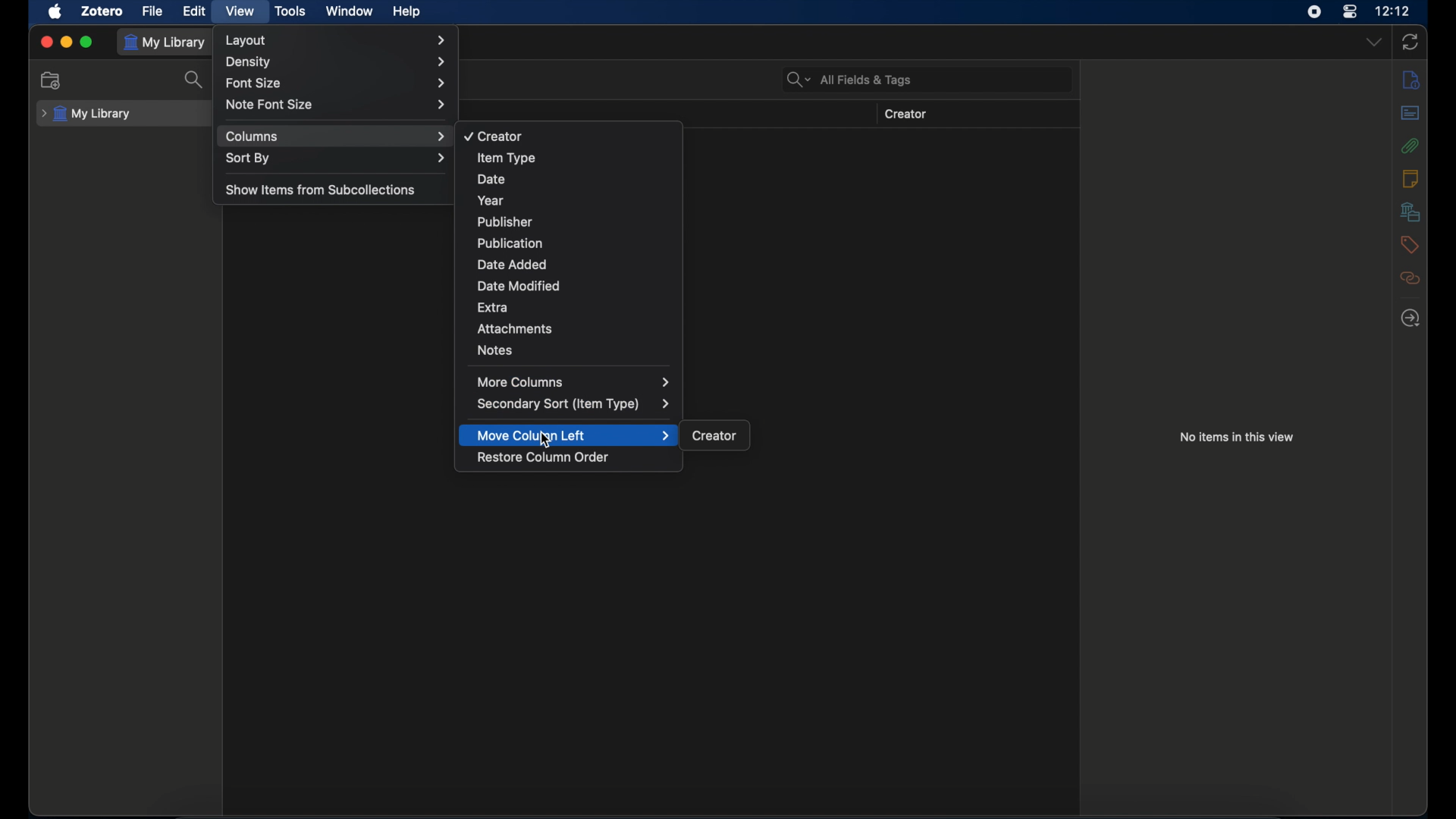 This screenshot has width=1456, height=819. Describe the element at coordinates (1411, 113) in the screenshot. I see `abstract` at that location.